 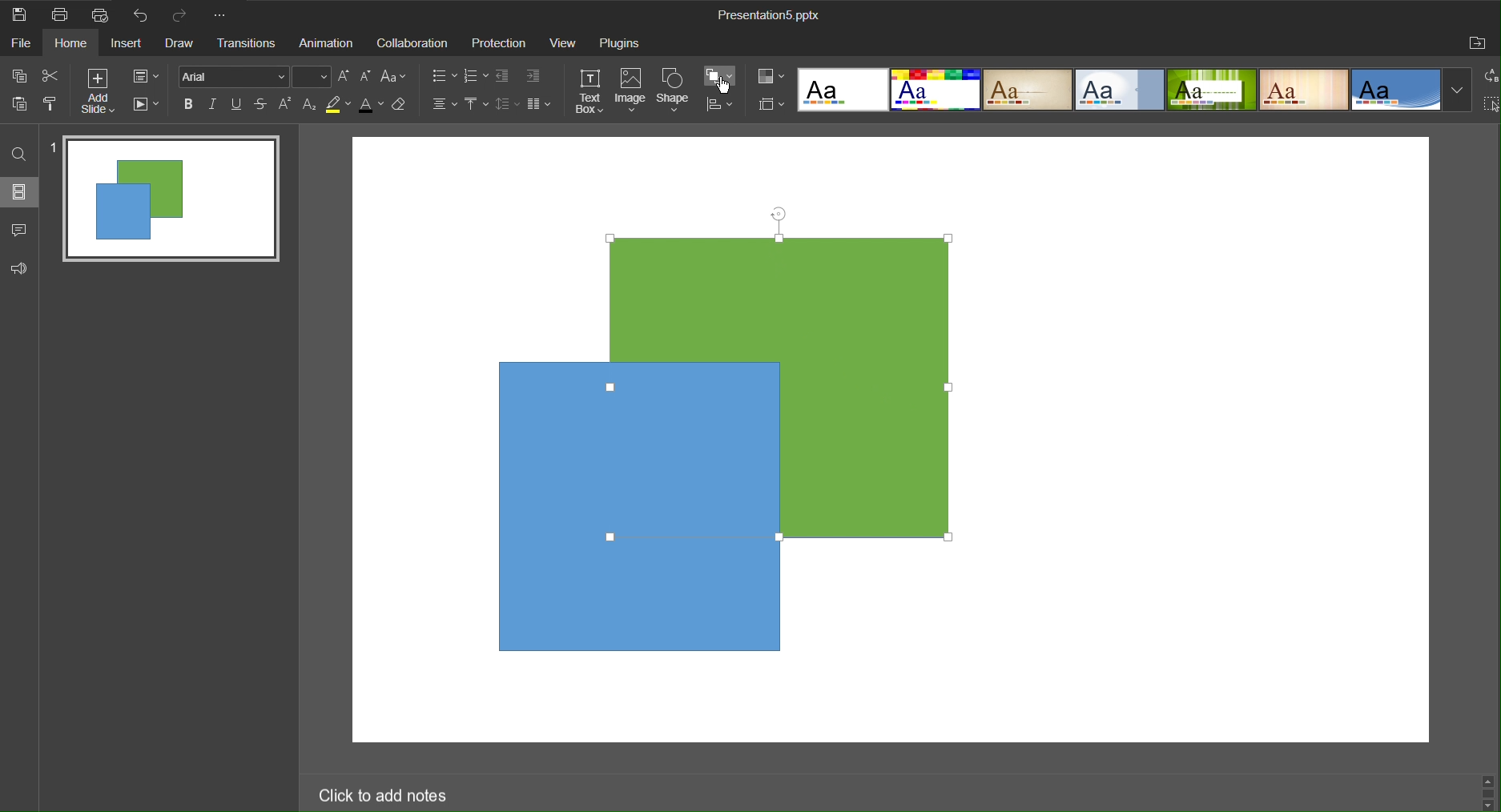 I want to click on Redo, so click(x=183, y=14).